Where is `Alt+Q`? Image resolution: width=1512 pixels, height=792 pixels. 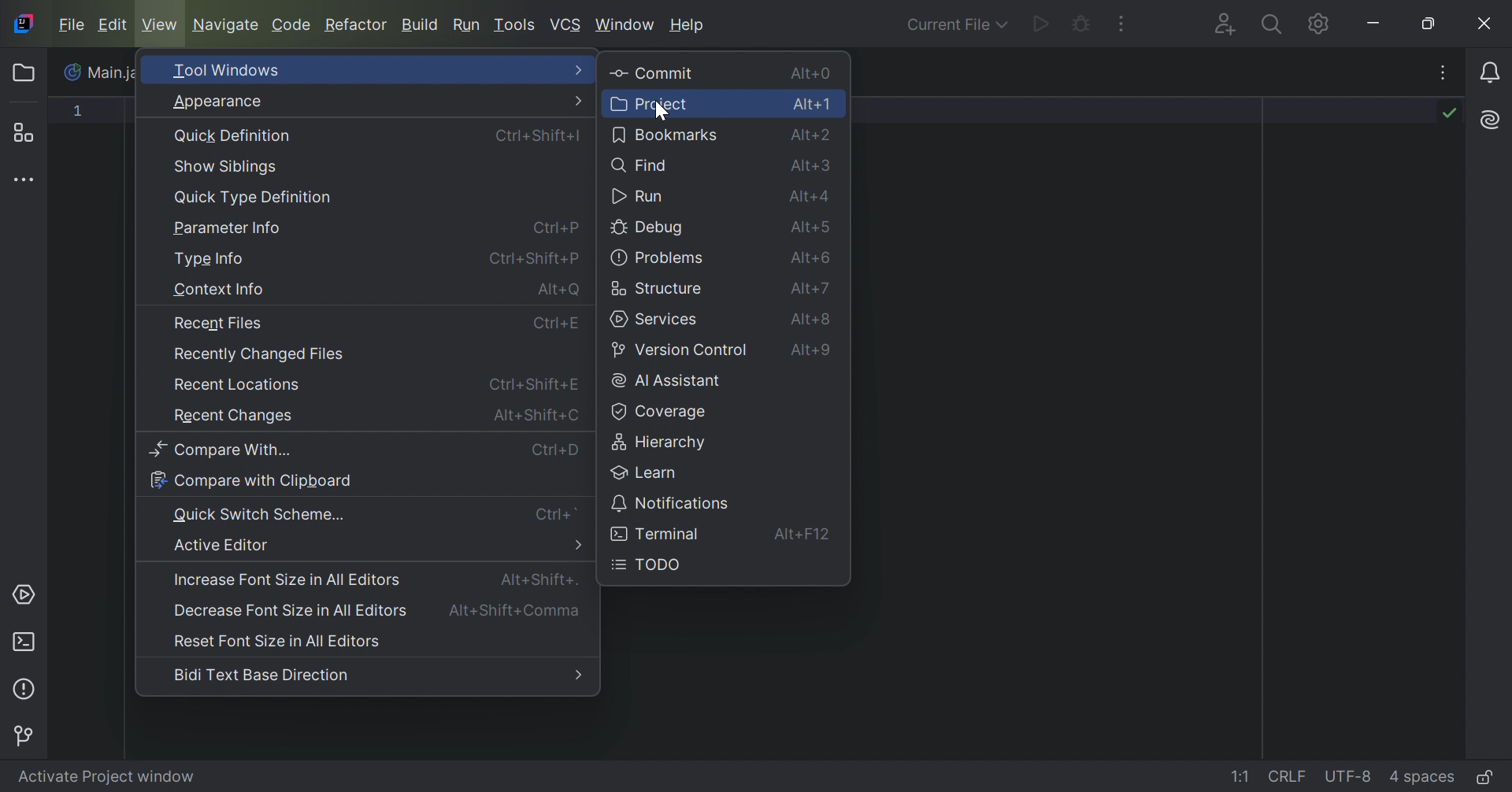 Alt+Q is located at coordinates (560, 291).